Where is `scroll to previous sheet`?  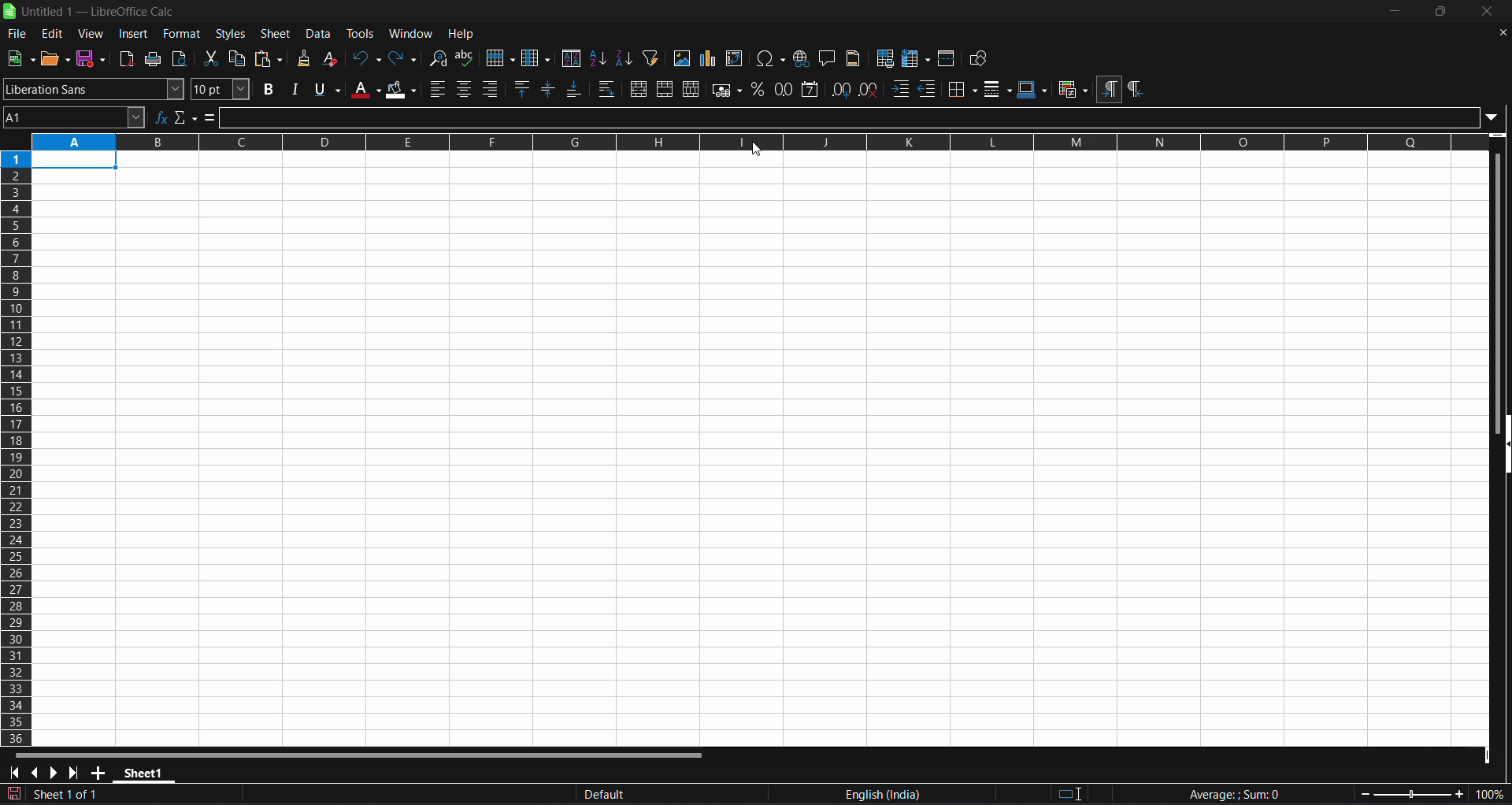
scroll to previous sheet is located at coordinates (31, 770).